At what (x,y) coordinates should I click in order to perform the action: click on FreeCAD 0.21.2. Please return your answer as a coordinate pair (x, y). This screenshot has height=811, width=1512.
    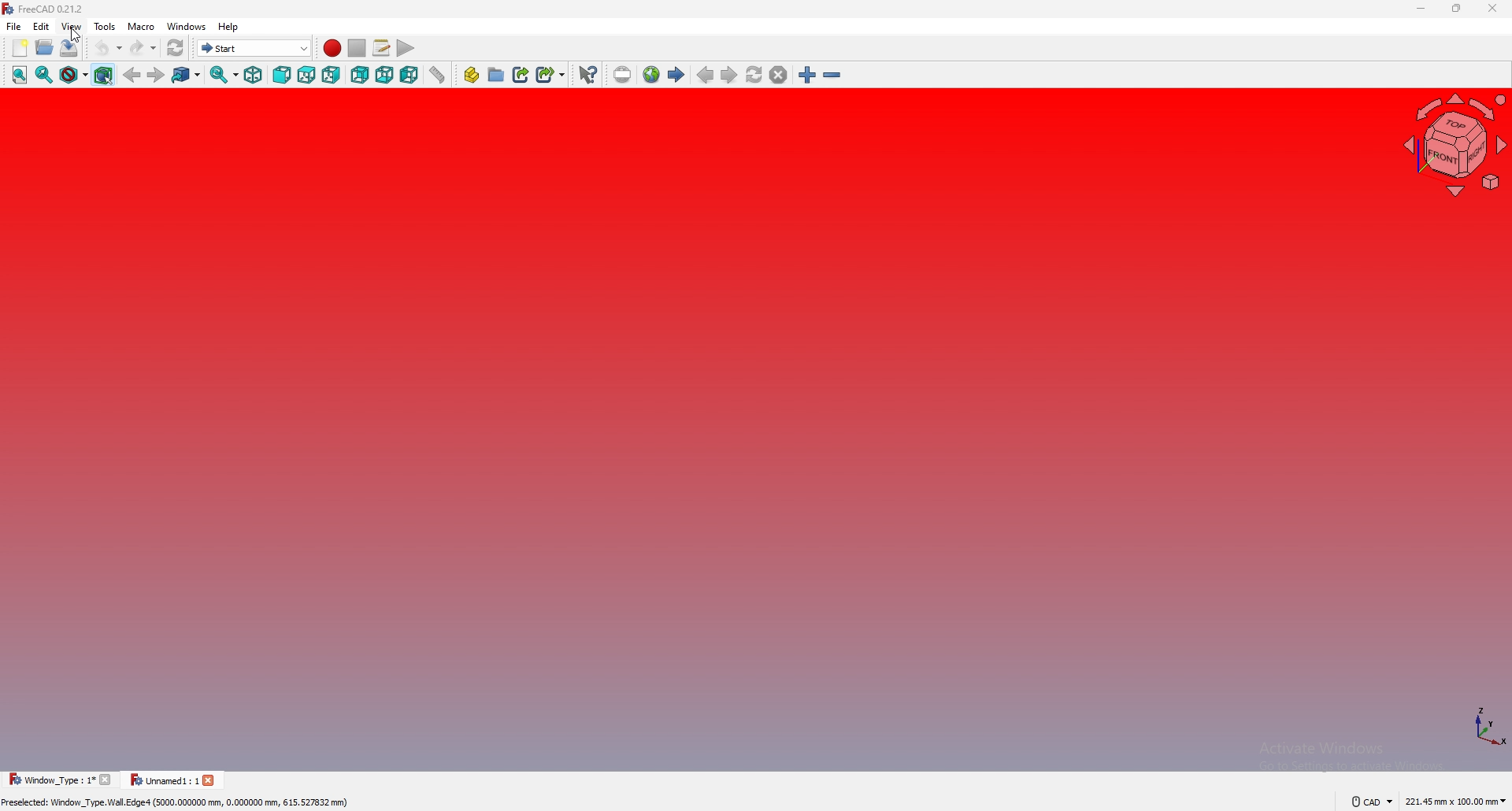
    Looking at the image, I should click on (46, 9).